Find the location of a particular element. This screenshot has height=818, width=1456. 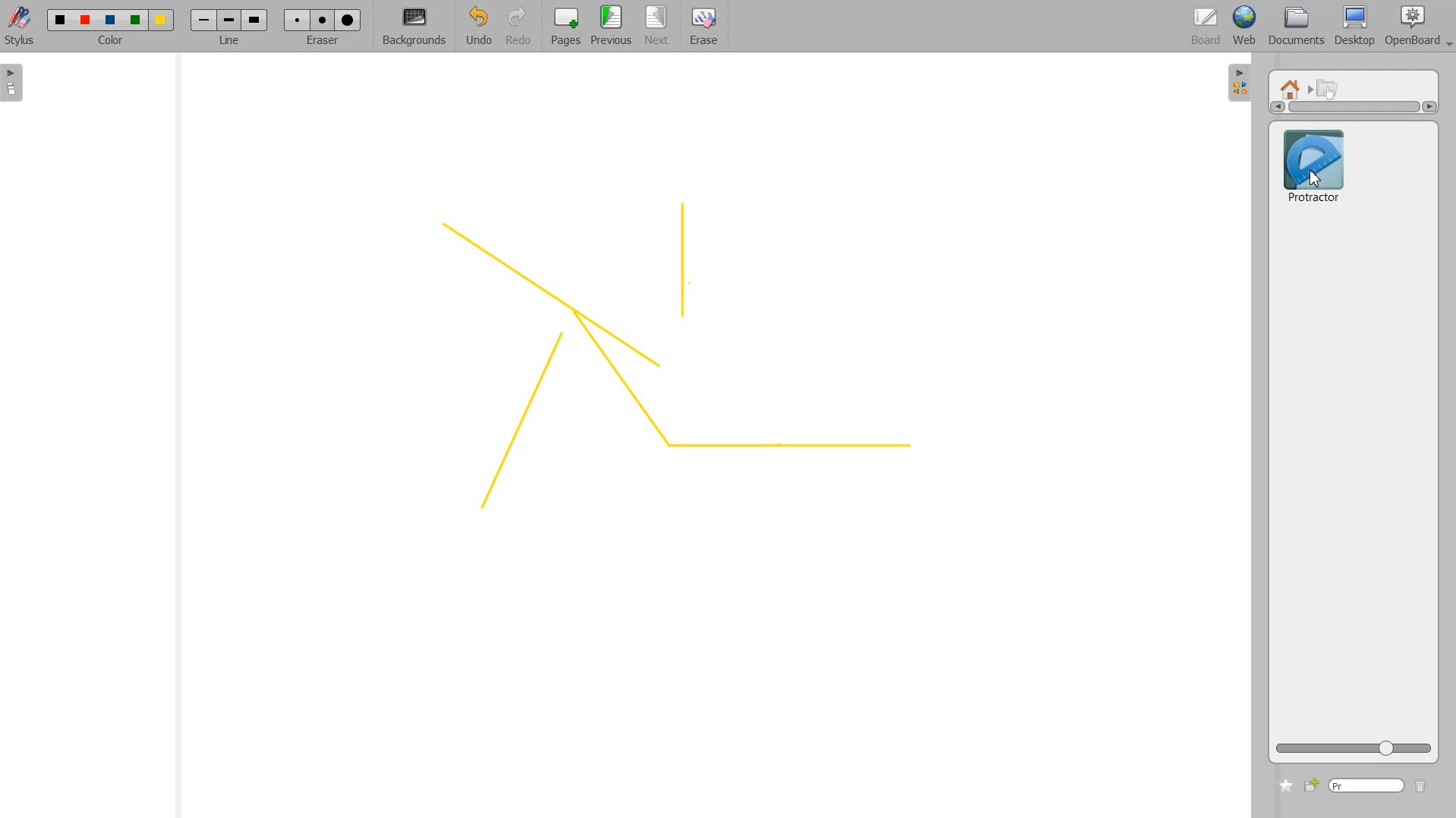

Documents is located at coordinates (1294, 27).